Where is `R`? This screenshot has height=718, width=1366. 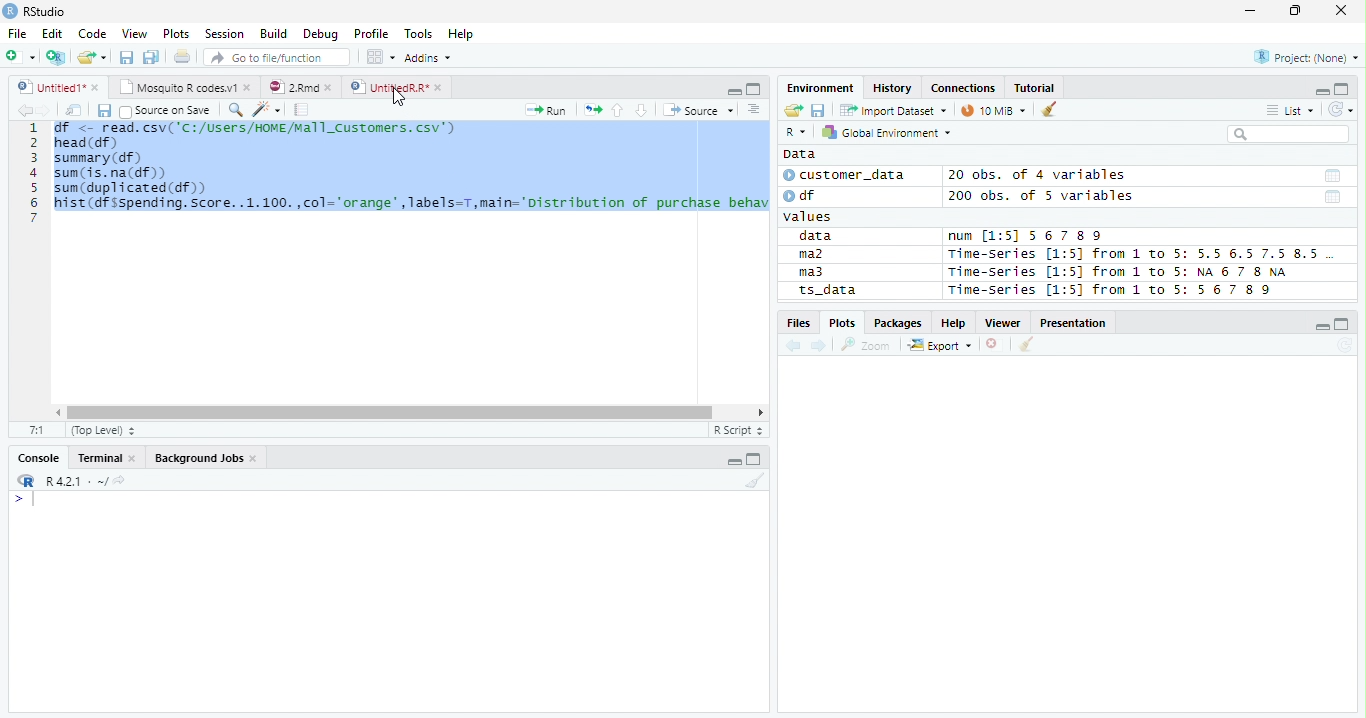
R is located at coordinates (24, 481).